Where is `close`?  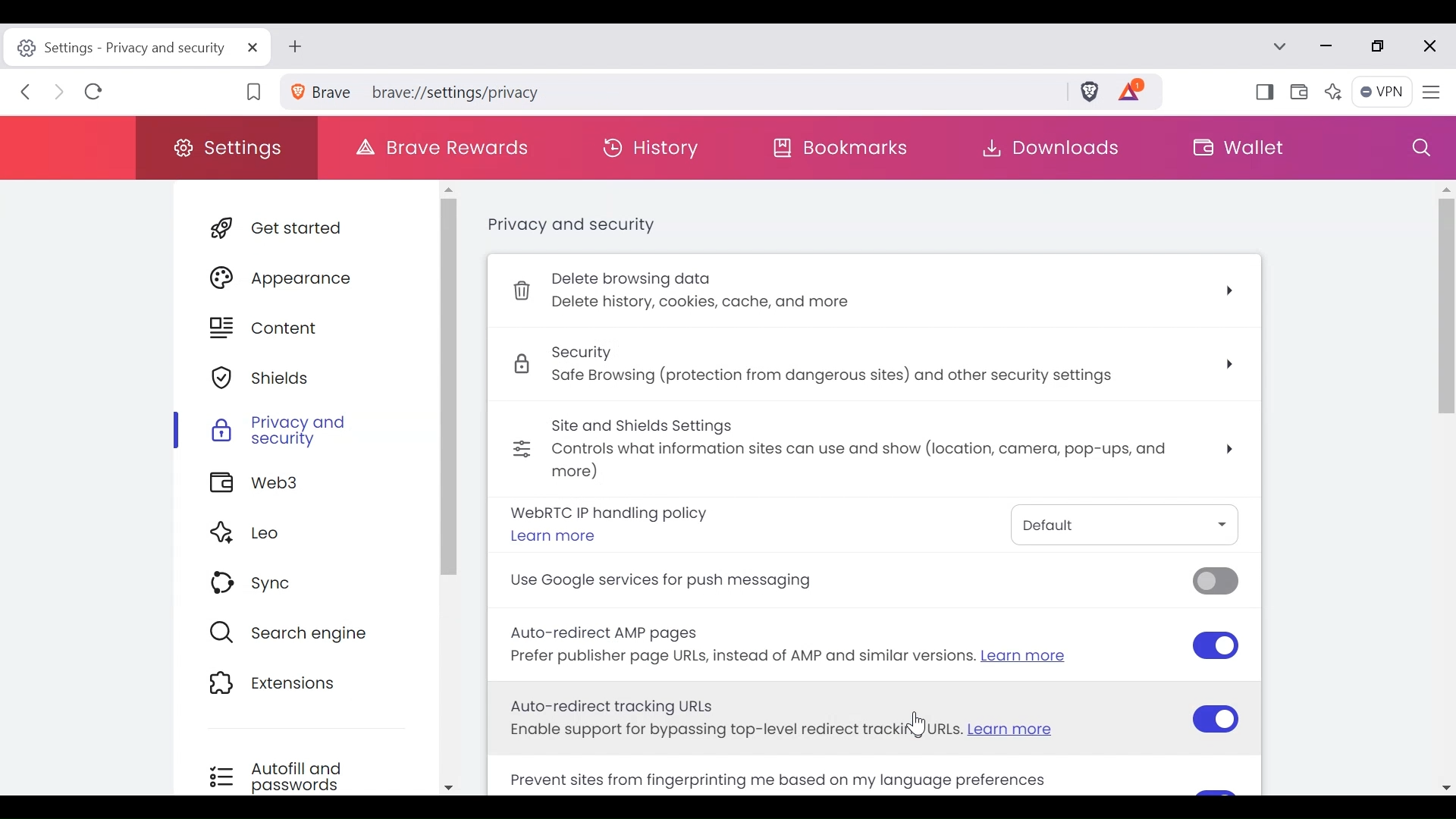
close is located at coordinates (1428, 46).